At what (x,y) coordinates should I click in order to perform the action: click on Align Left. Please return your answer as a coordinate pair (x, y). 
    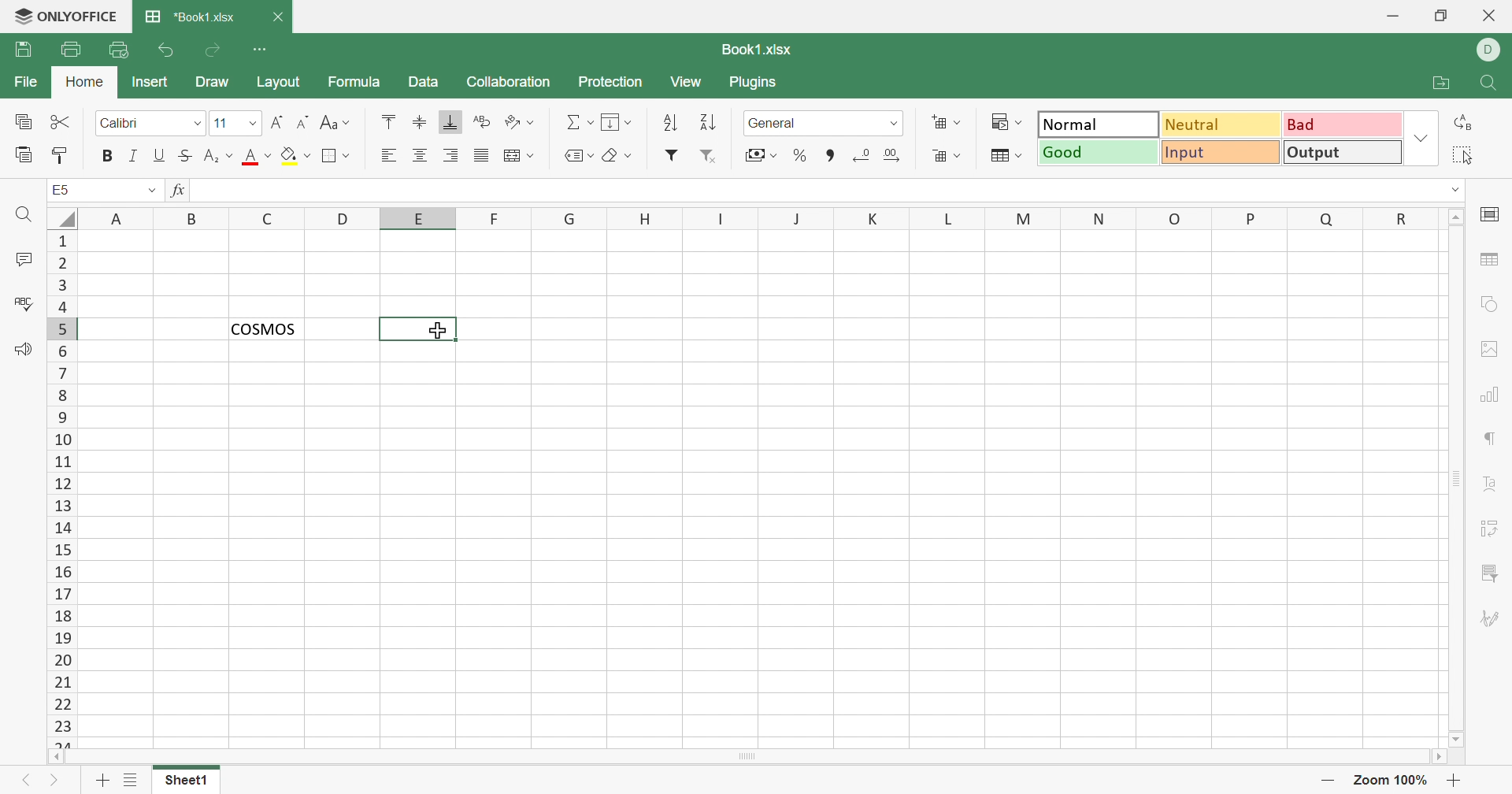
    Looking at the image, I should click on (393, 154).